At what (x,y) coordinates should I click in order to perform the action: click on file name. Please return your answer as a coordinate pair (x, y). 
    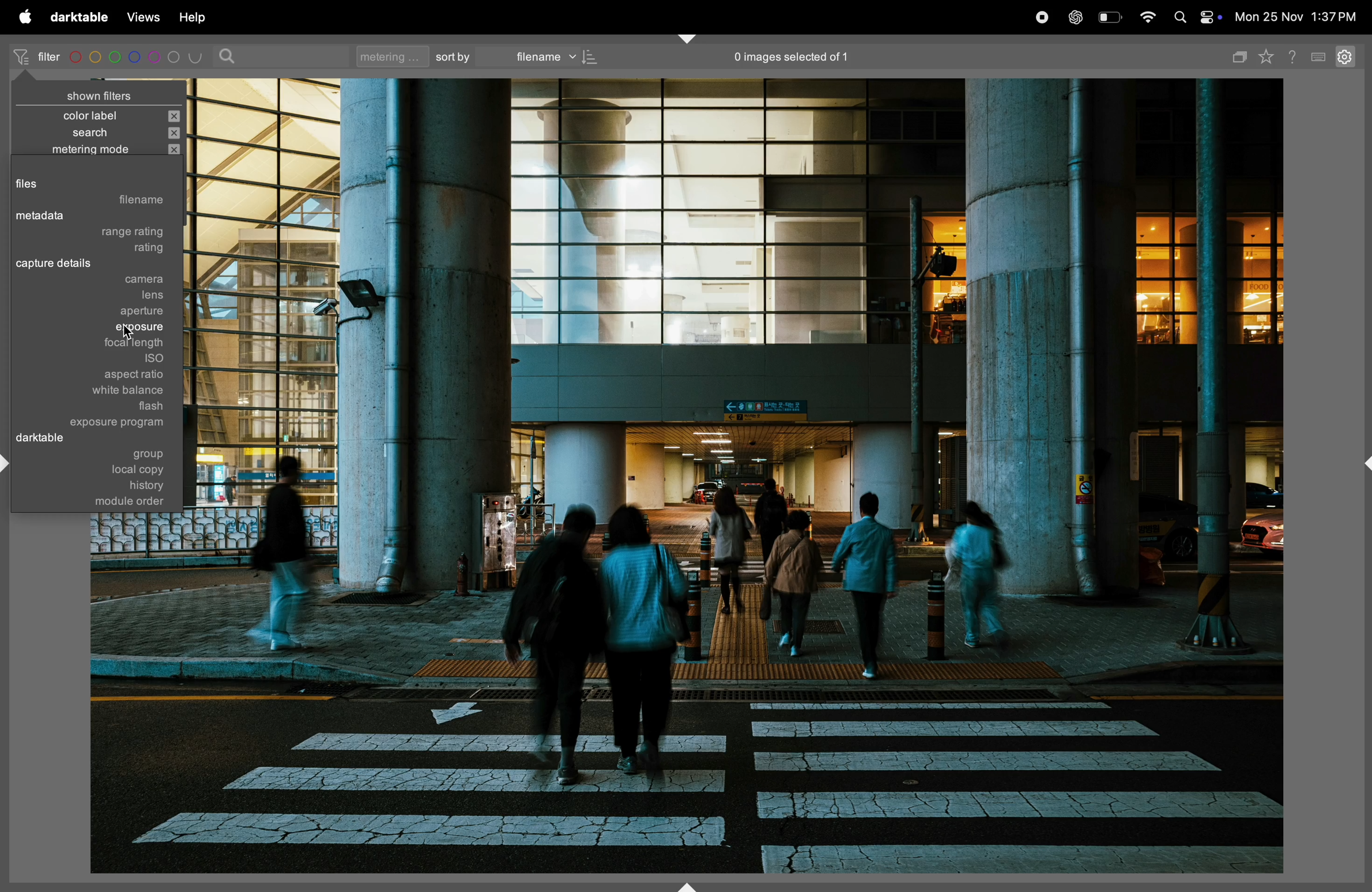
    Looking at the image, I should click on (554, 56).